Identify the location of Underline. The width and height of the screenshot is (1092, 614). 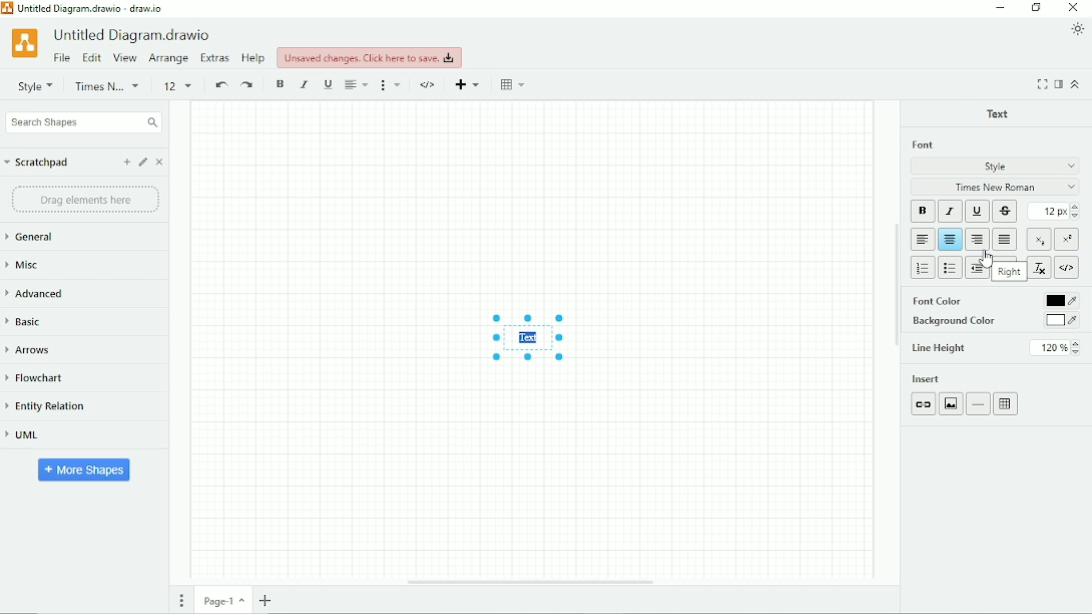
(328, 84).